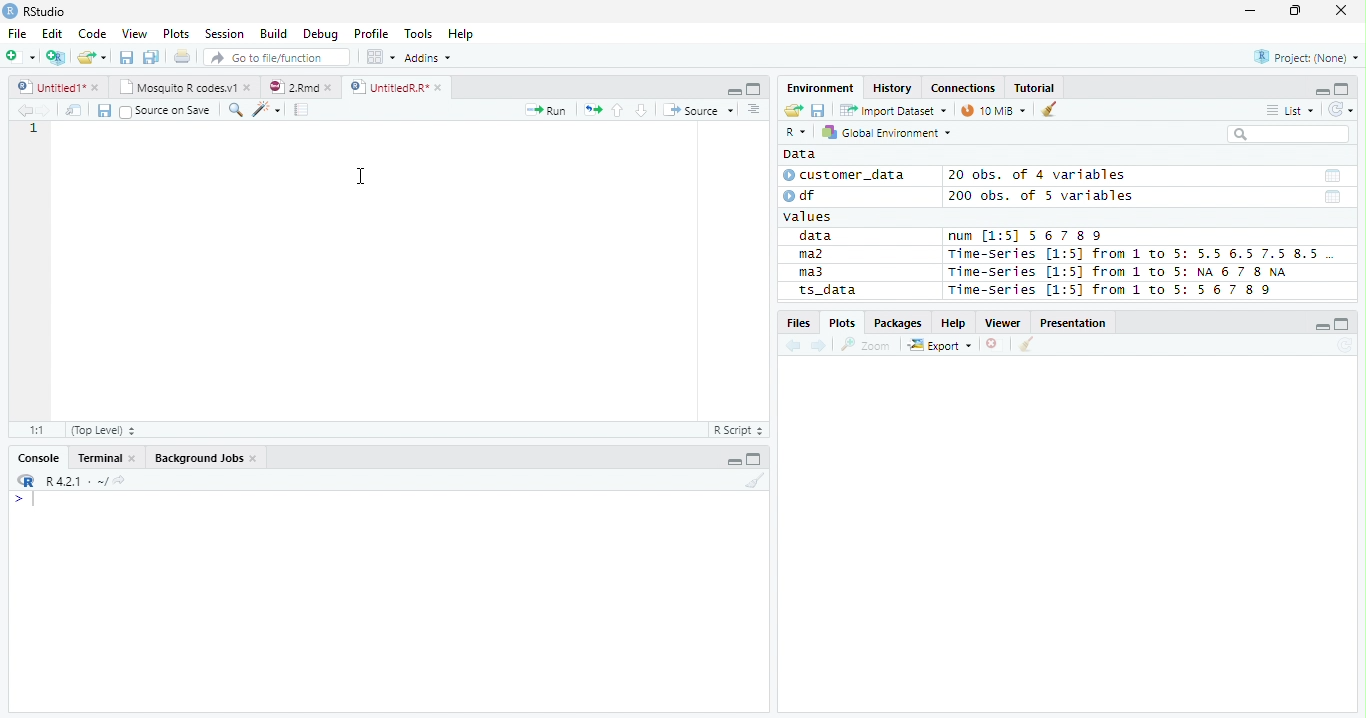  Describe the element at coordinates (796, 346) in the screenshot. I see `Previous` at that location.